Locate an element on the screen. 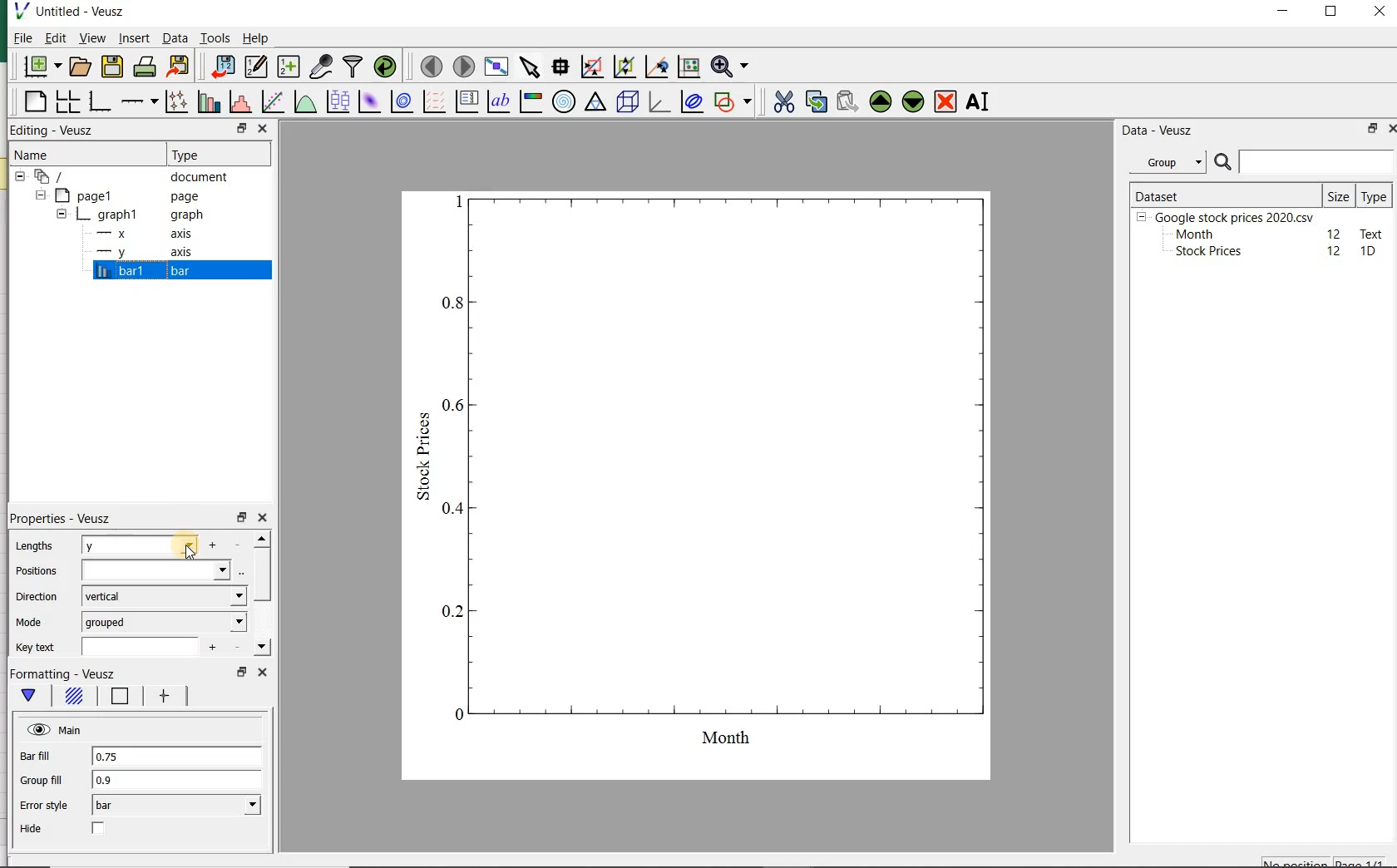  Data is located at coordinates (175, 40).